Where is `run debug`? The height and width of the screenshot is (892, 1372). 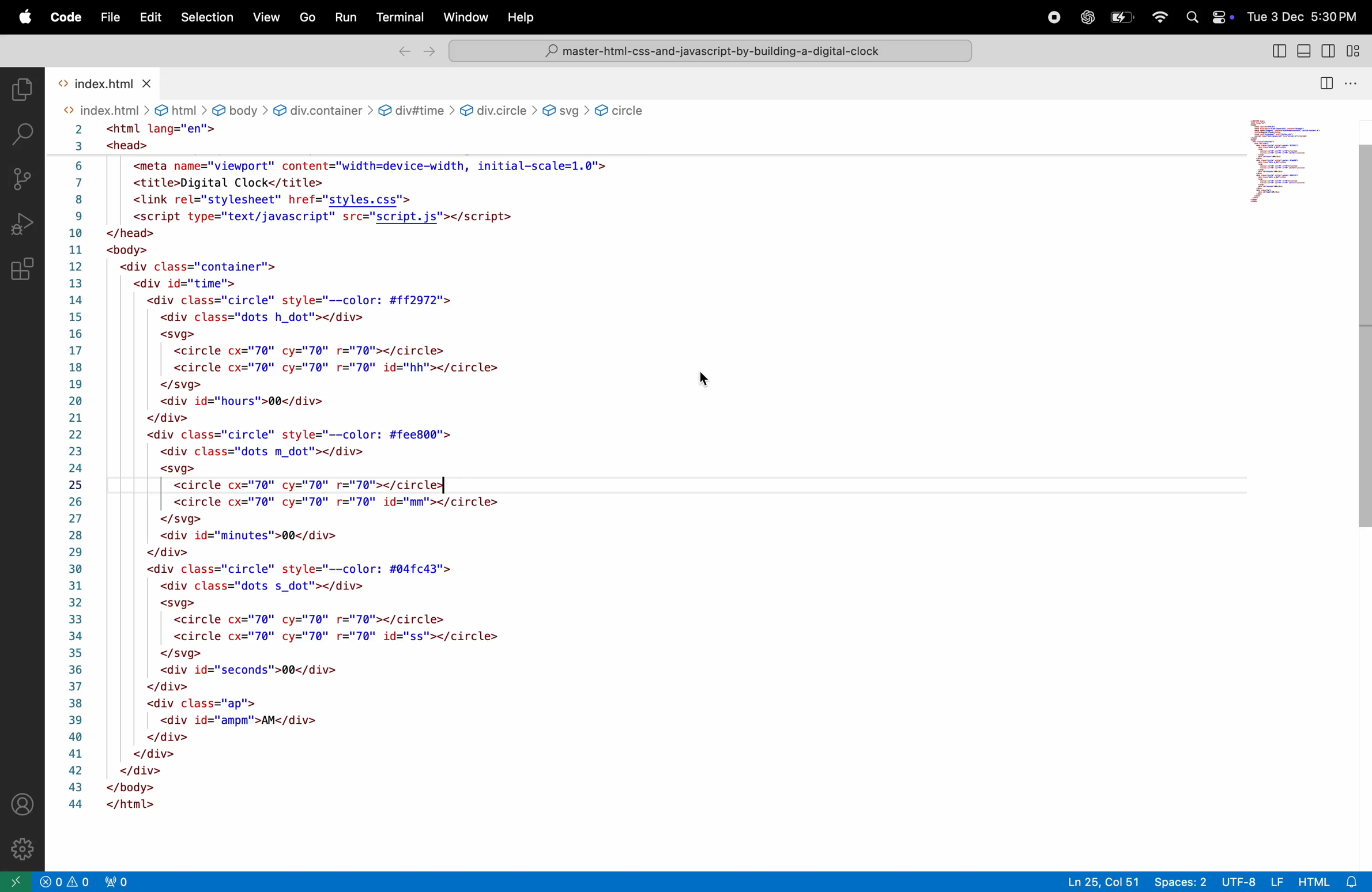 run debug is located at coordinates (22, 224).